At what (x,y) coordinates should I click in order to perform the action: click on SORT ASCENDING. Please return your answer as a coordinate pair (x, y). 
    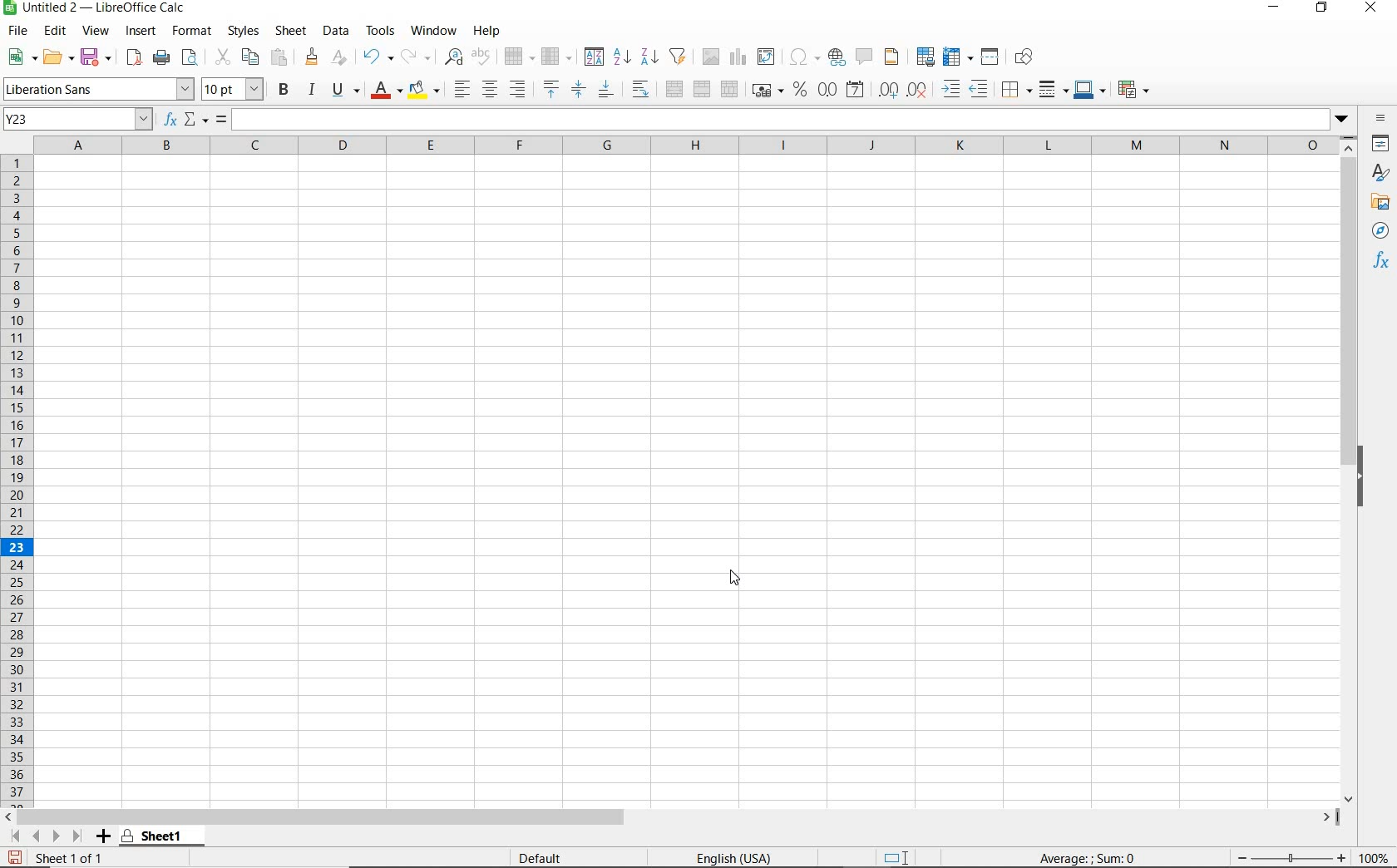
    Looking at the image, I should click on (622, 57).